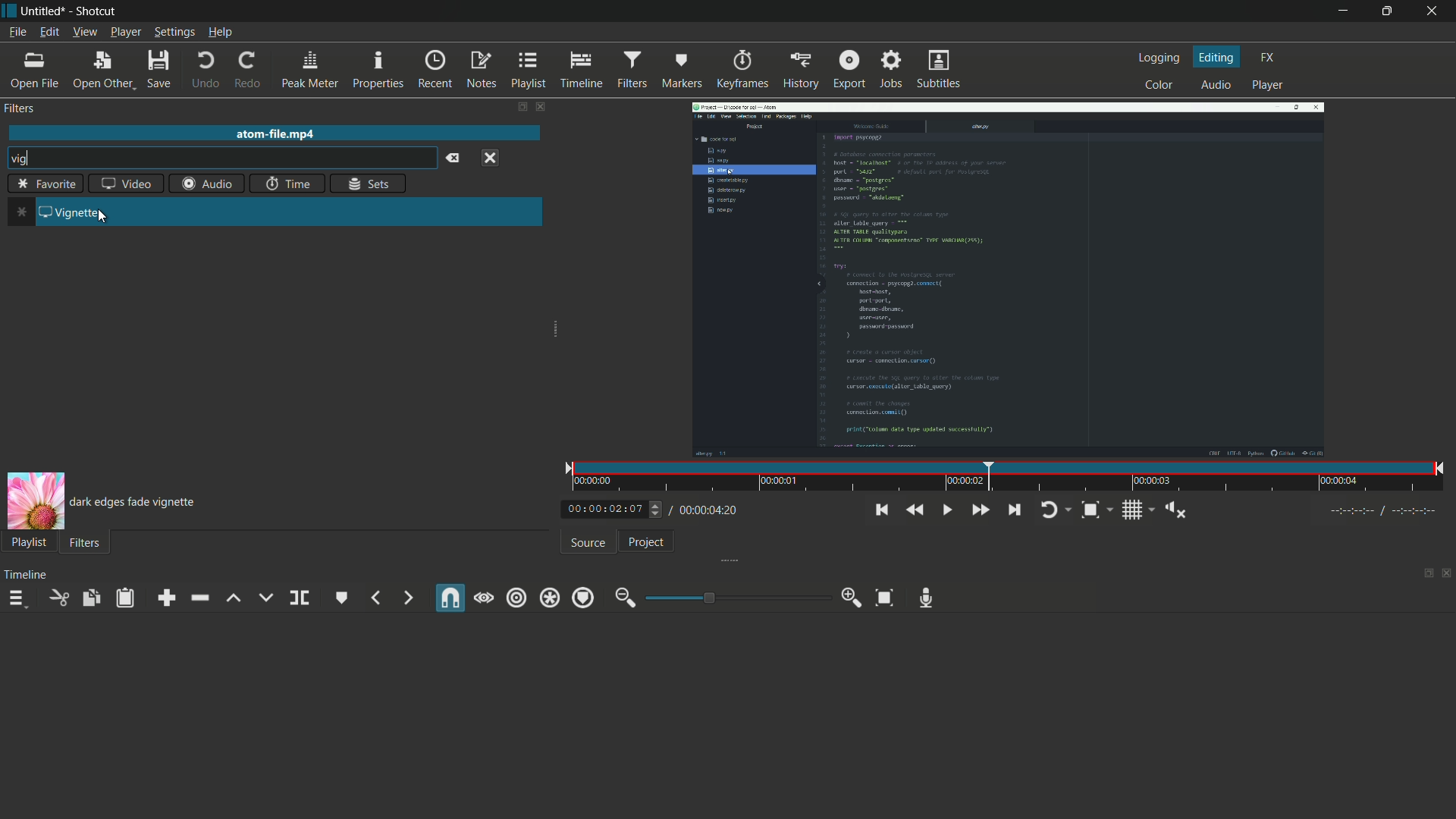 This screenshot has width=1456, height=819. I want to click on filters, so click(84, 542).